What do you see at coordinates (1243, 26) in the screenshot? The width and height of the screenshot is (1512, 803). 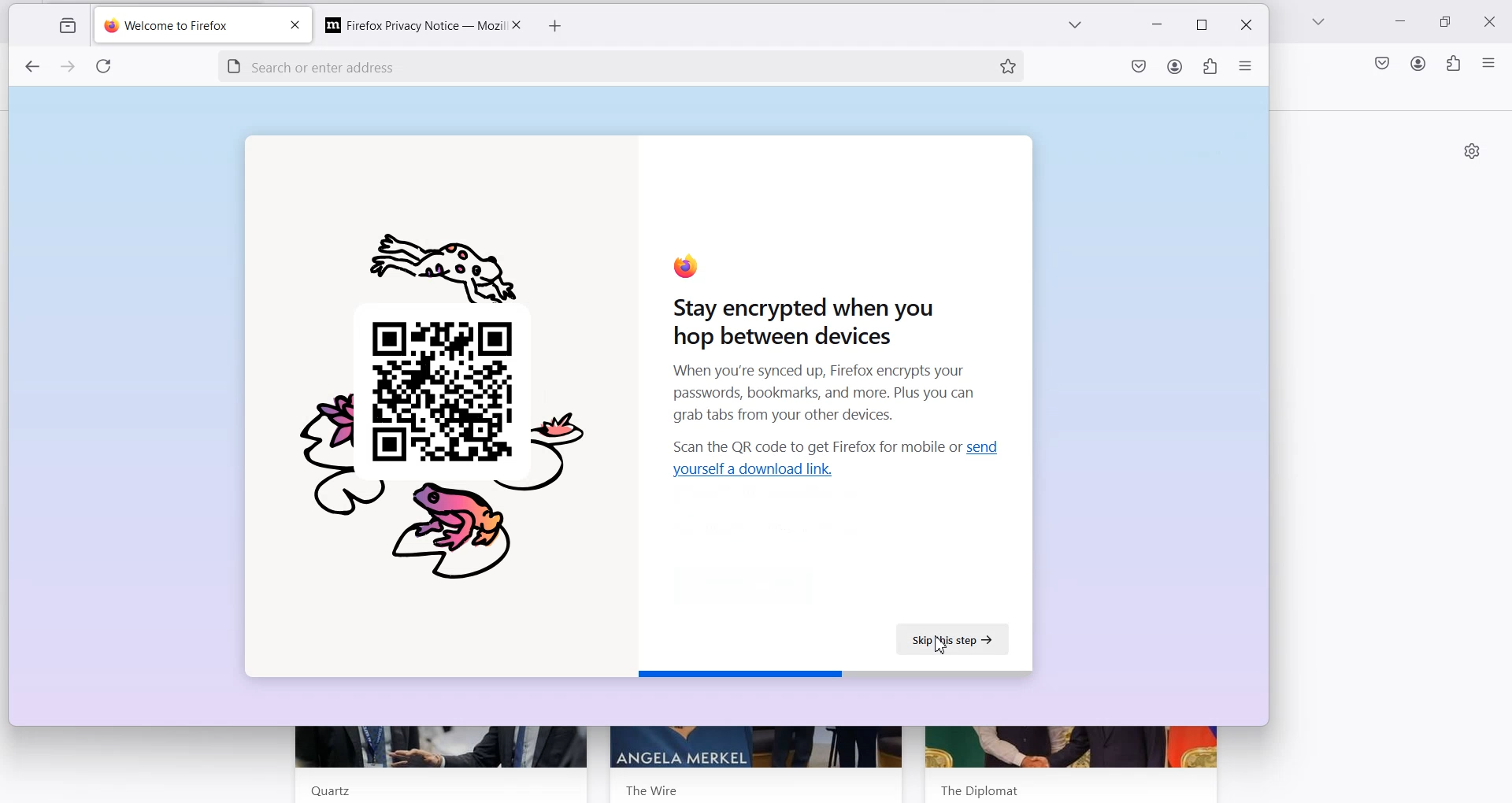 I see `close` at bounding box center [1243, 26].